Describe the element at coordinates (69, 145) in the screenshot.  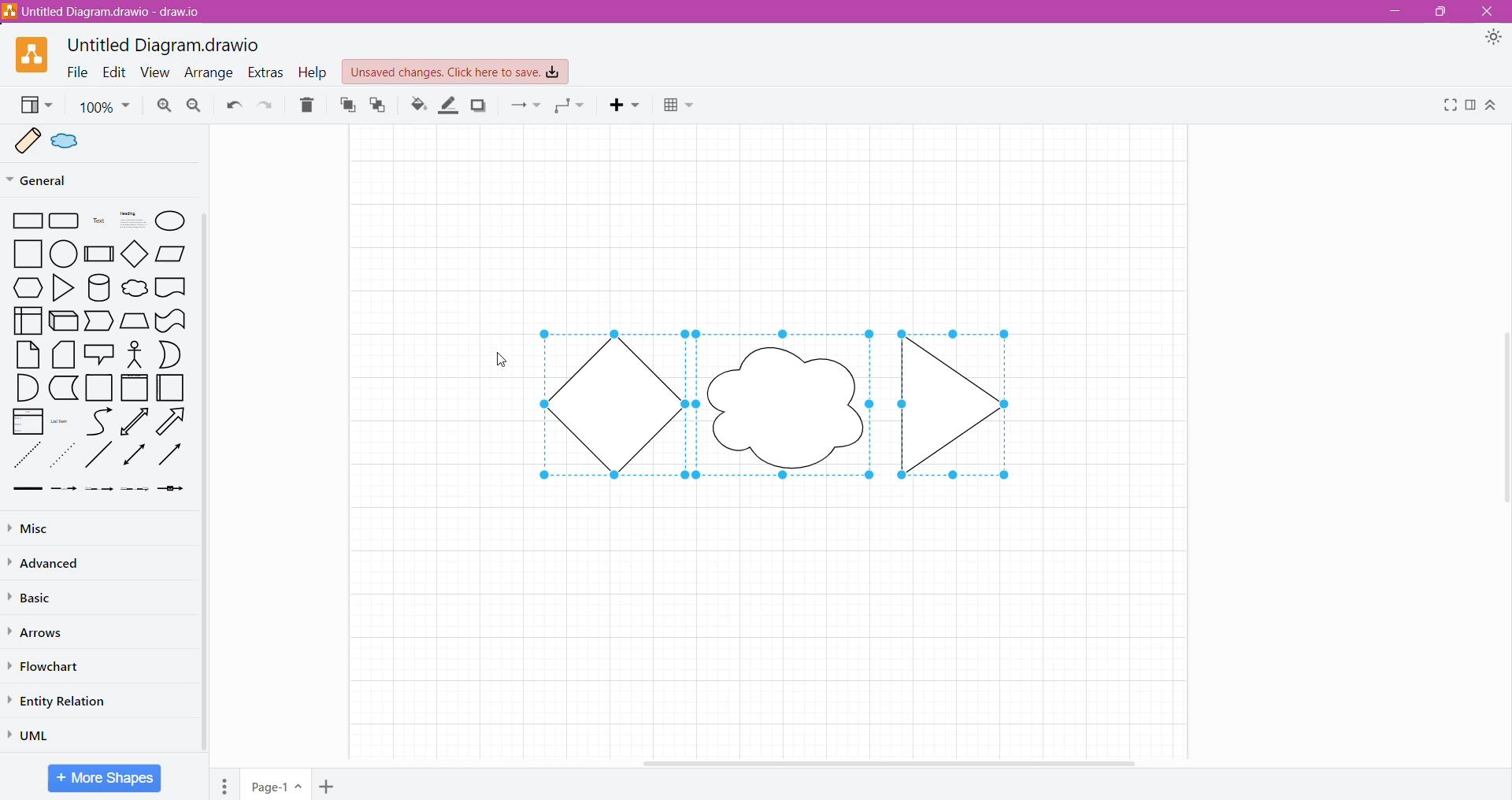
I see `Scratchpad sample shape 2` at that location.